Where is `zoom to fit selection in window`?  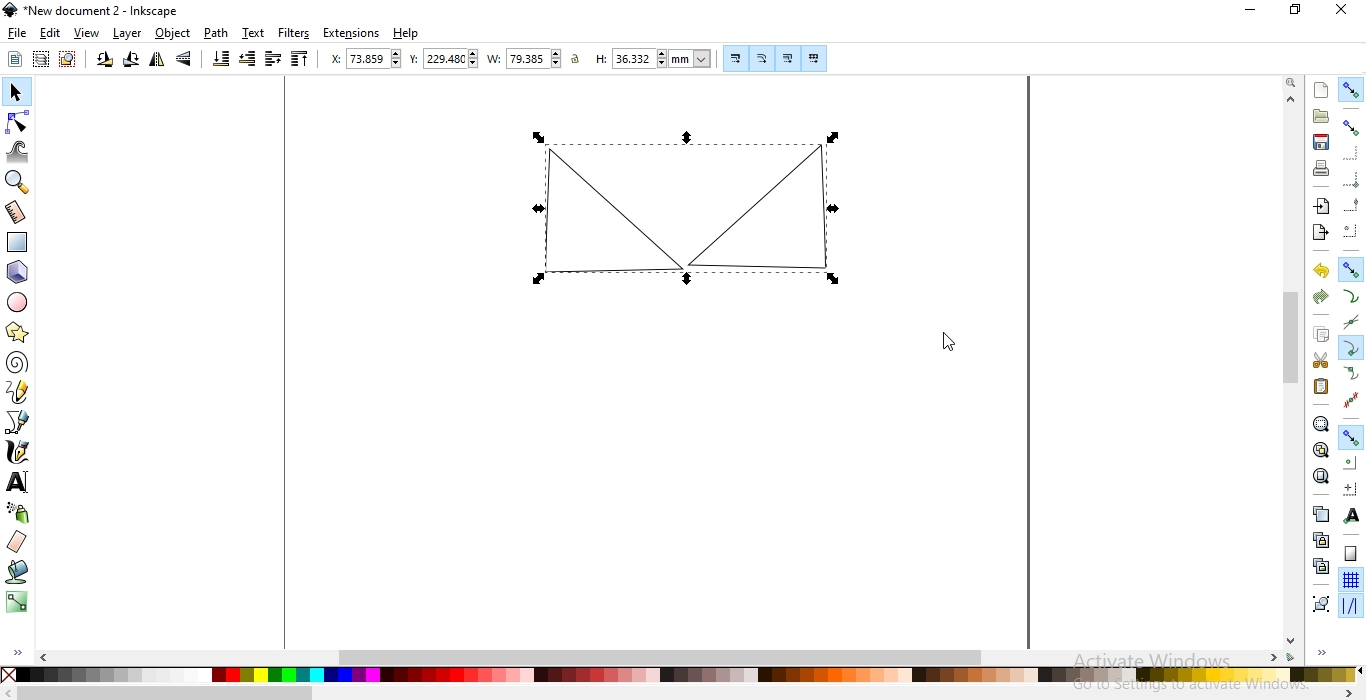 zoom to fit selection in window is located at coordinates (1321, 424).